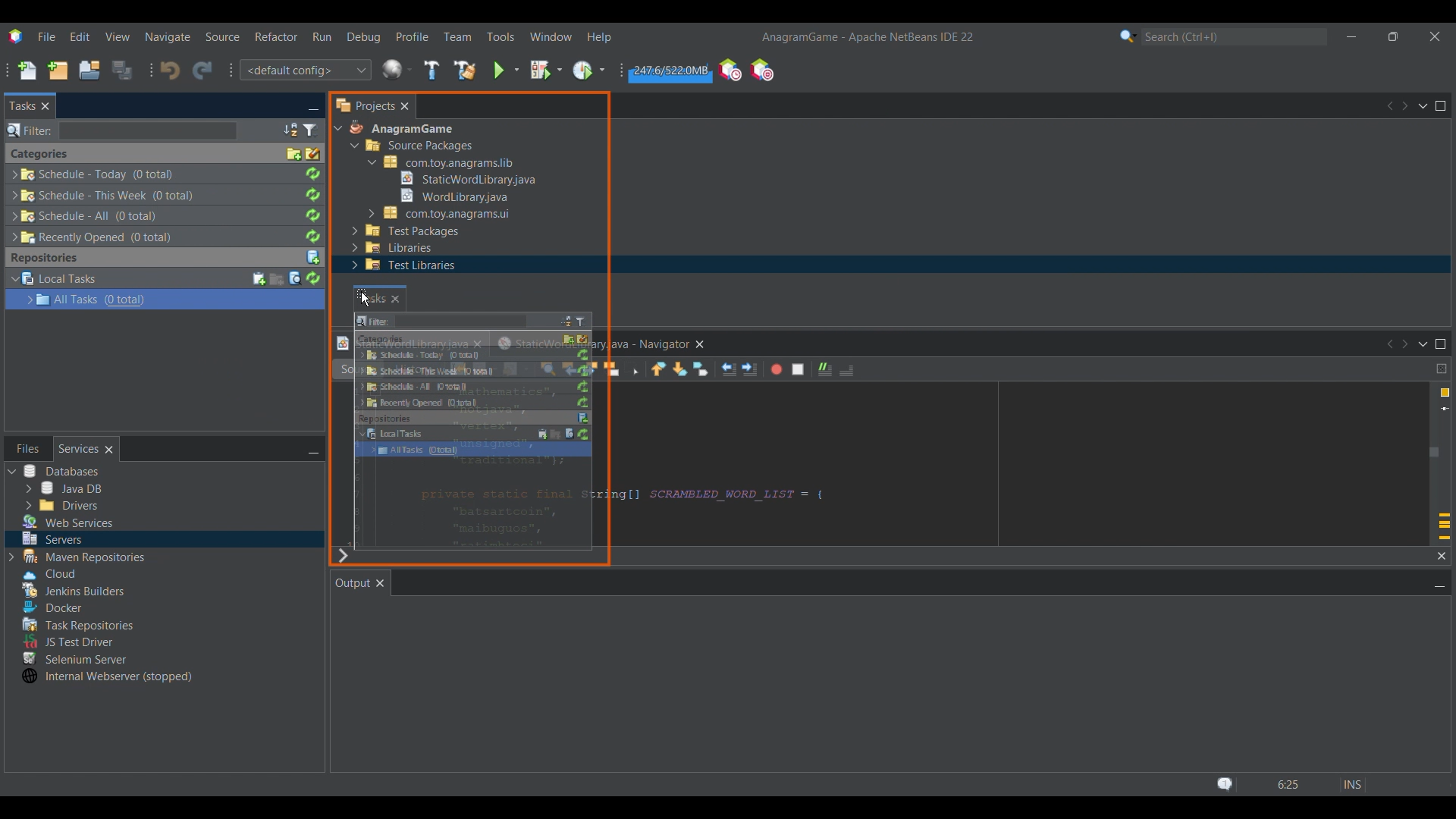 The image size is (1456, 819). I want to click on File menu, so click(46, 36).